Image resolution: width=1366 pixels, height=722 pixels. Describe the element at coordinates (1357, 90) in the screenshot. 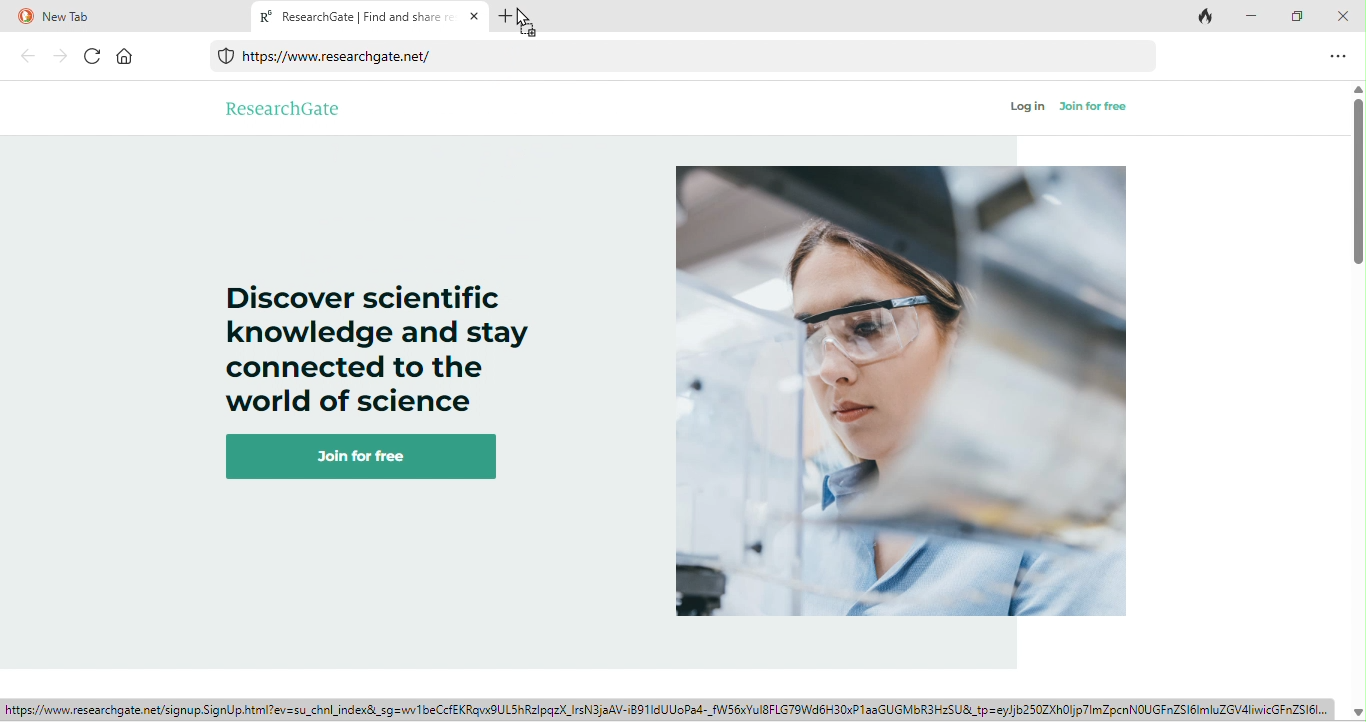

I see `Scroll up` at that location.